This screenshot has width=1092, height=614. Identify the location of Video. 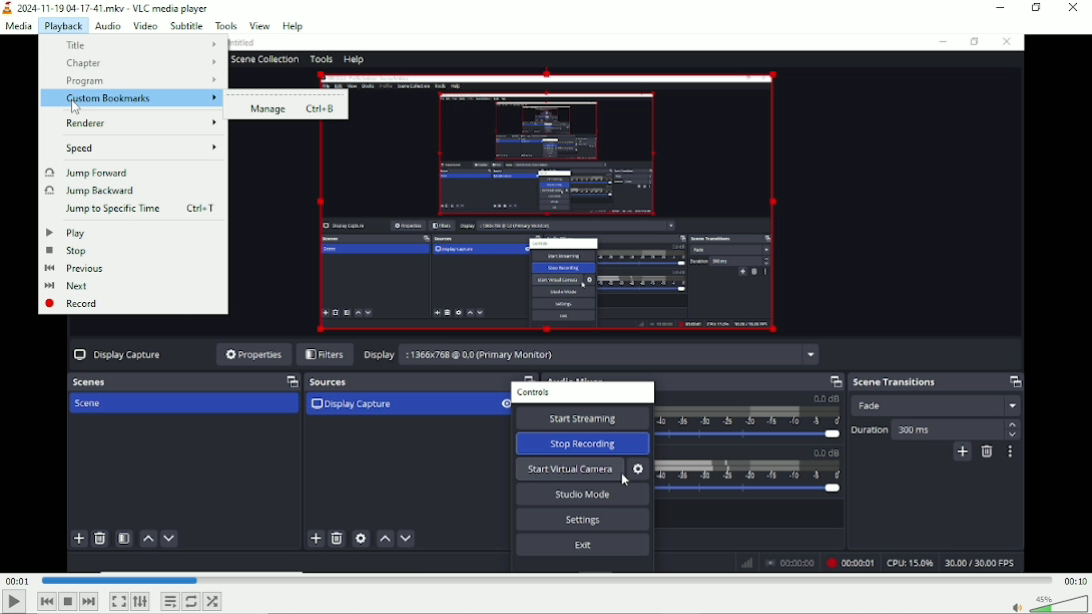
(690, 303).